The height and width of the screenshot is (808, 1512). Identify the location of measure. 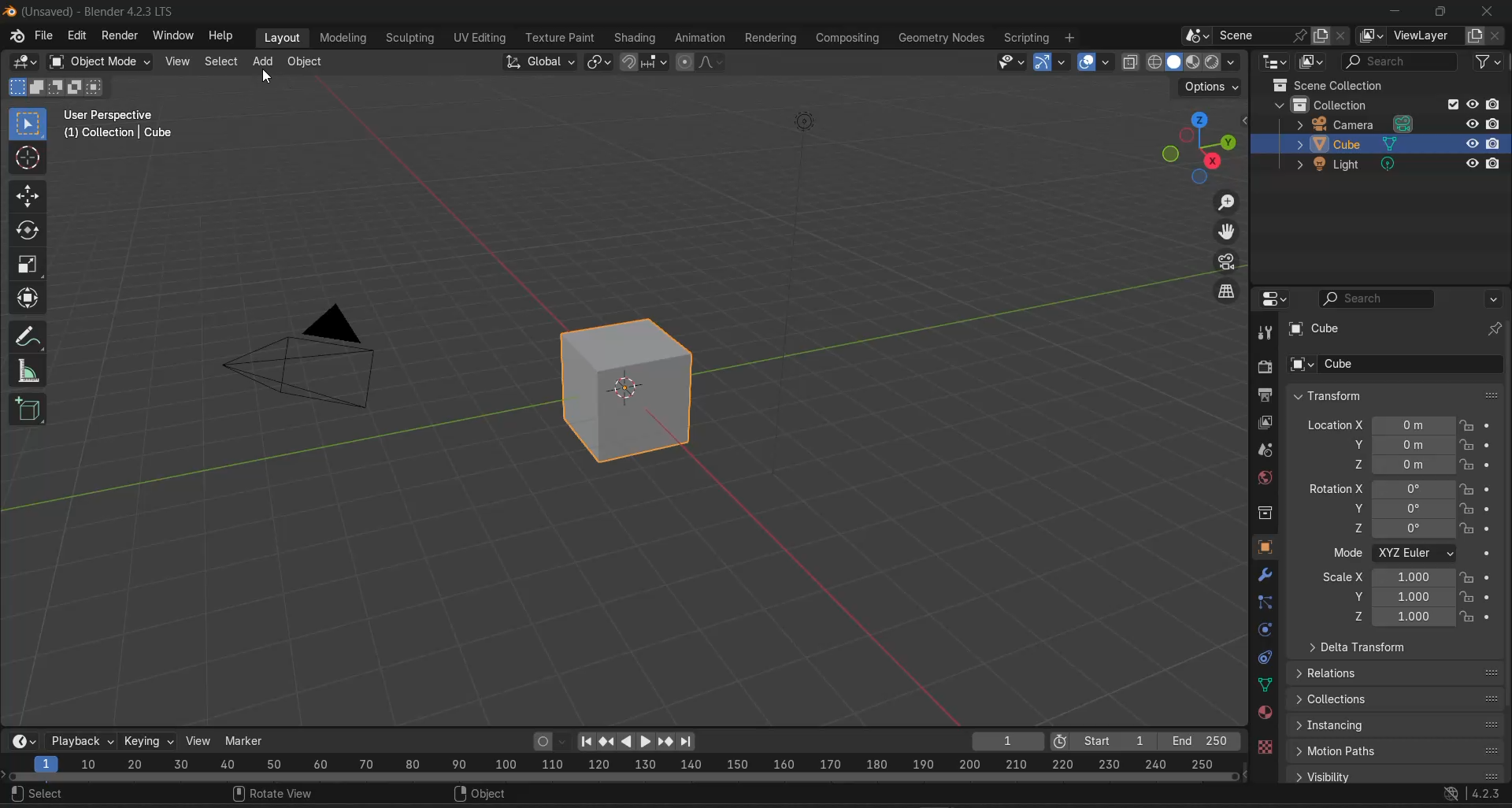
(31, 374).